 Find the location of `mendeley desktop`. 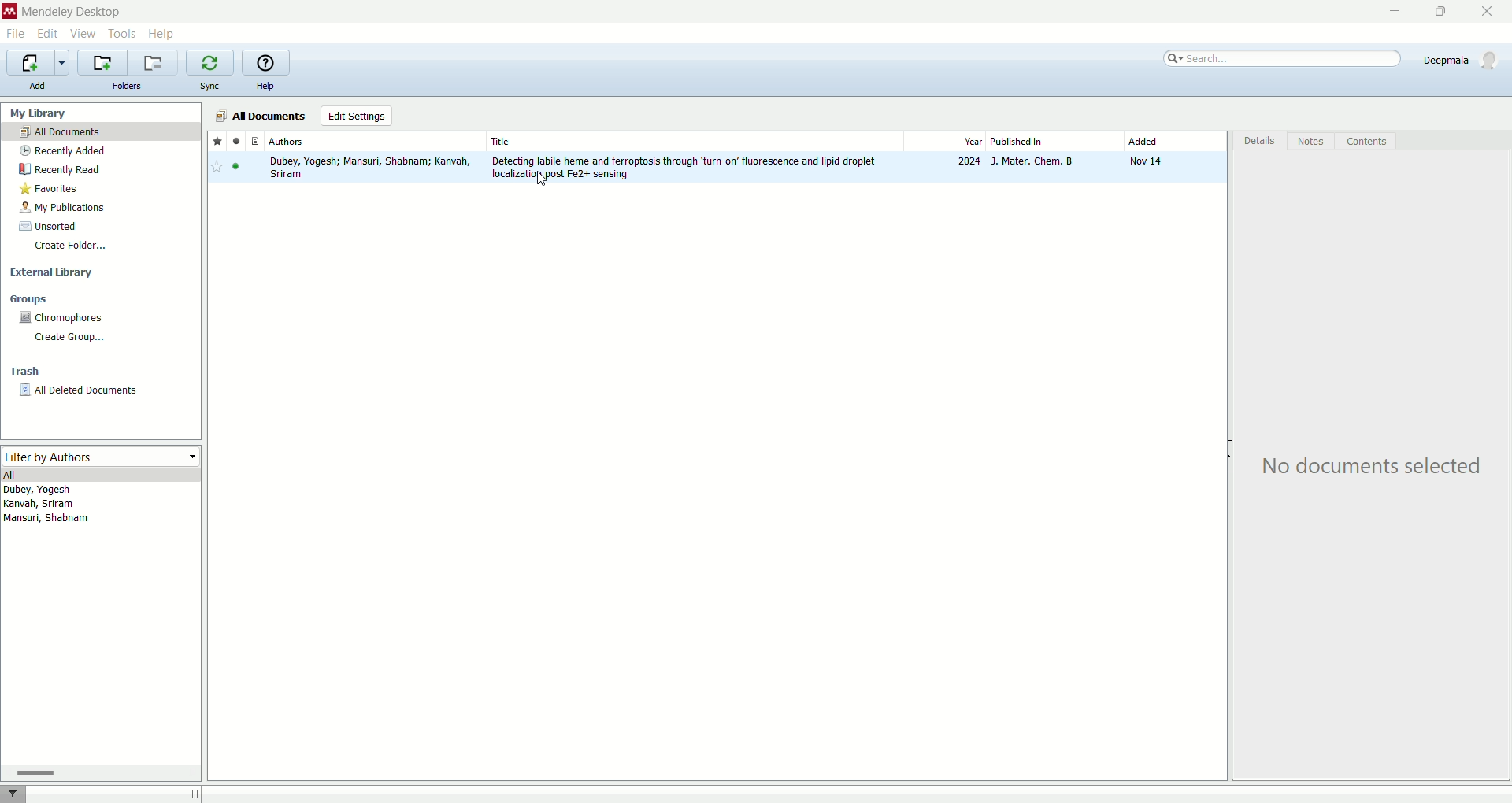

mendeley desktop is located at coordinates (70, 12).